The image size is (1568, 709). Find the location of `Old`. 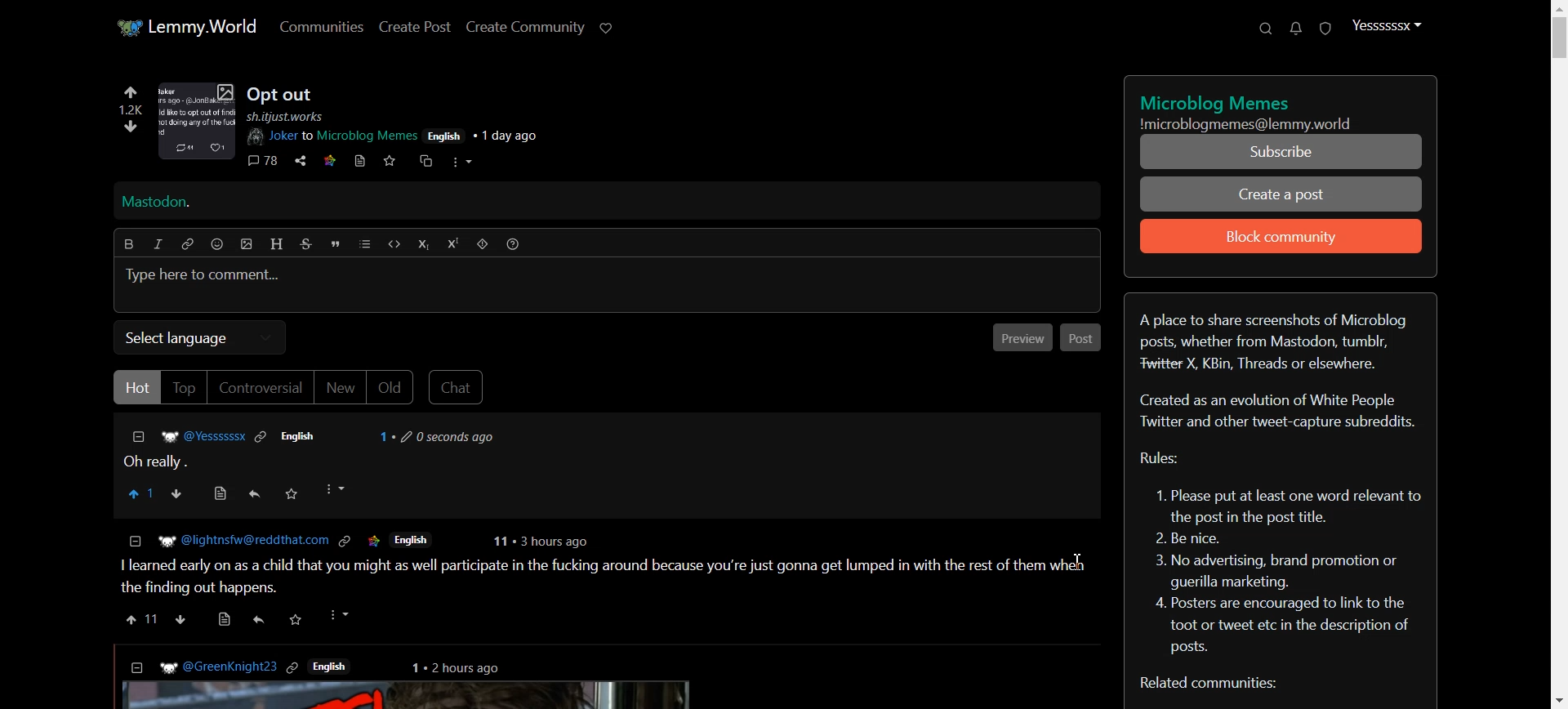

Old is located at coordinates (391, 387).